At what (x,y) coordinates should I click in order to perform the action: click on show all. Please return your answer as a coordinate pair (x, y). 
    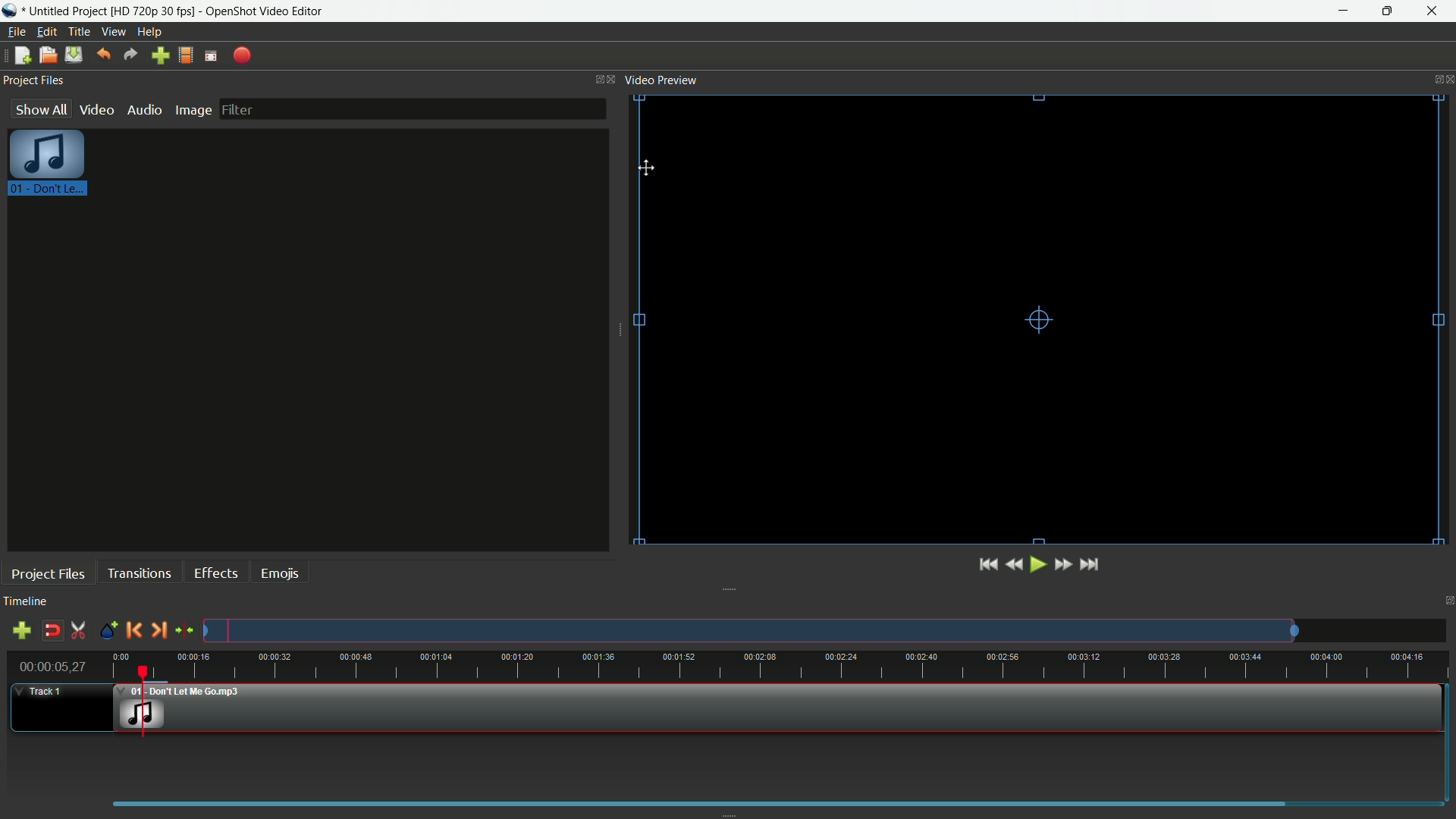
    Looking at the image, I should click on (40, 108).